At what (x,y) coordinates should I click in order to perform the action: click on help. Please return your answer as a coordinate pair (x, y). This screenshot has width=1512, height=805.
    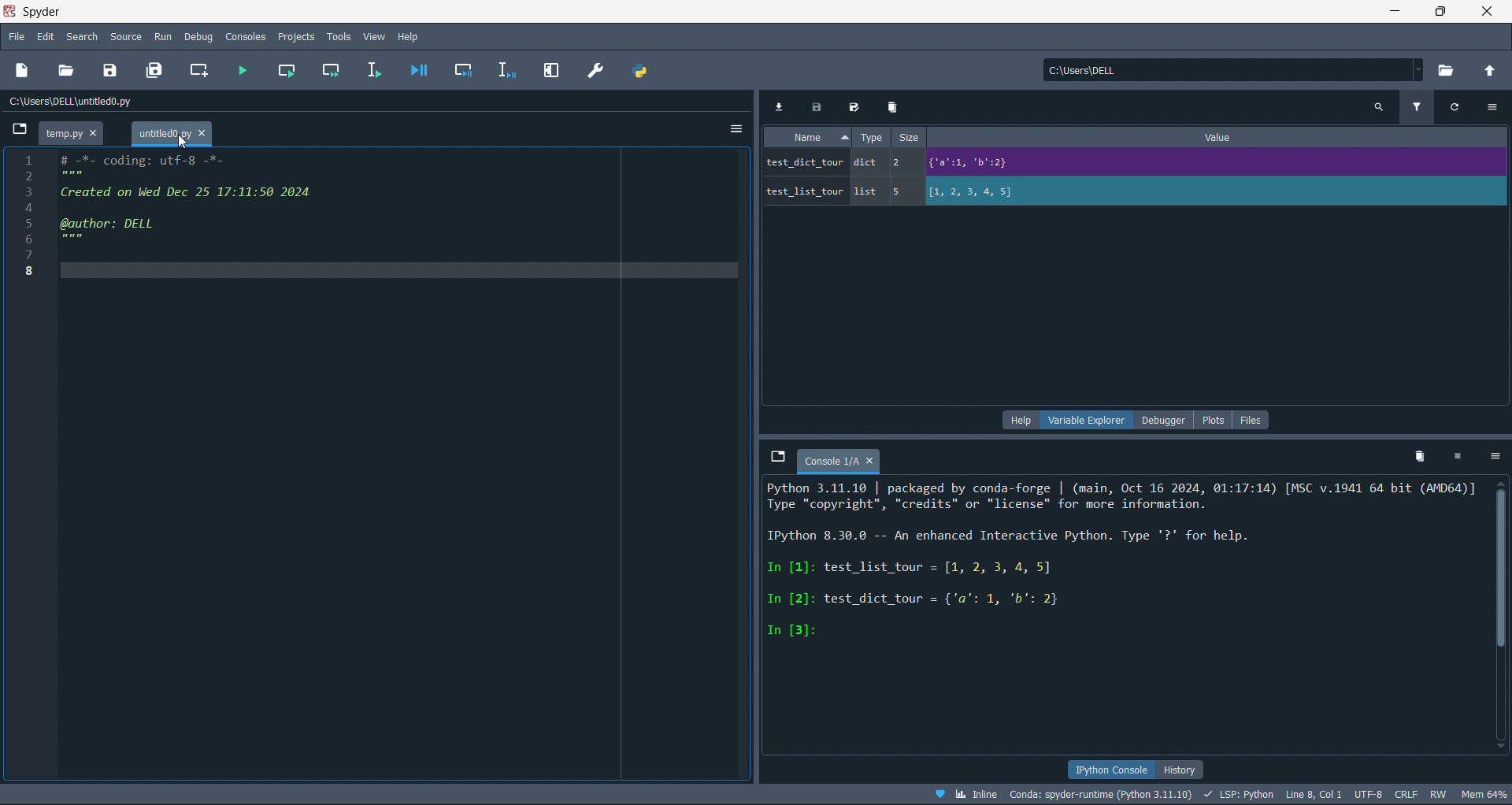
    Looking at the image, I should click on (408, 35).